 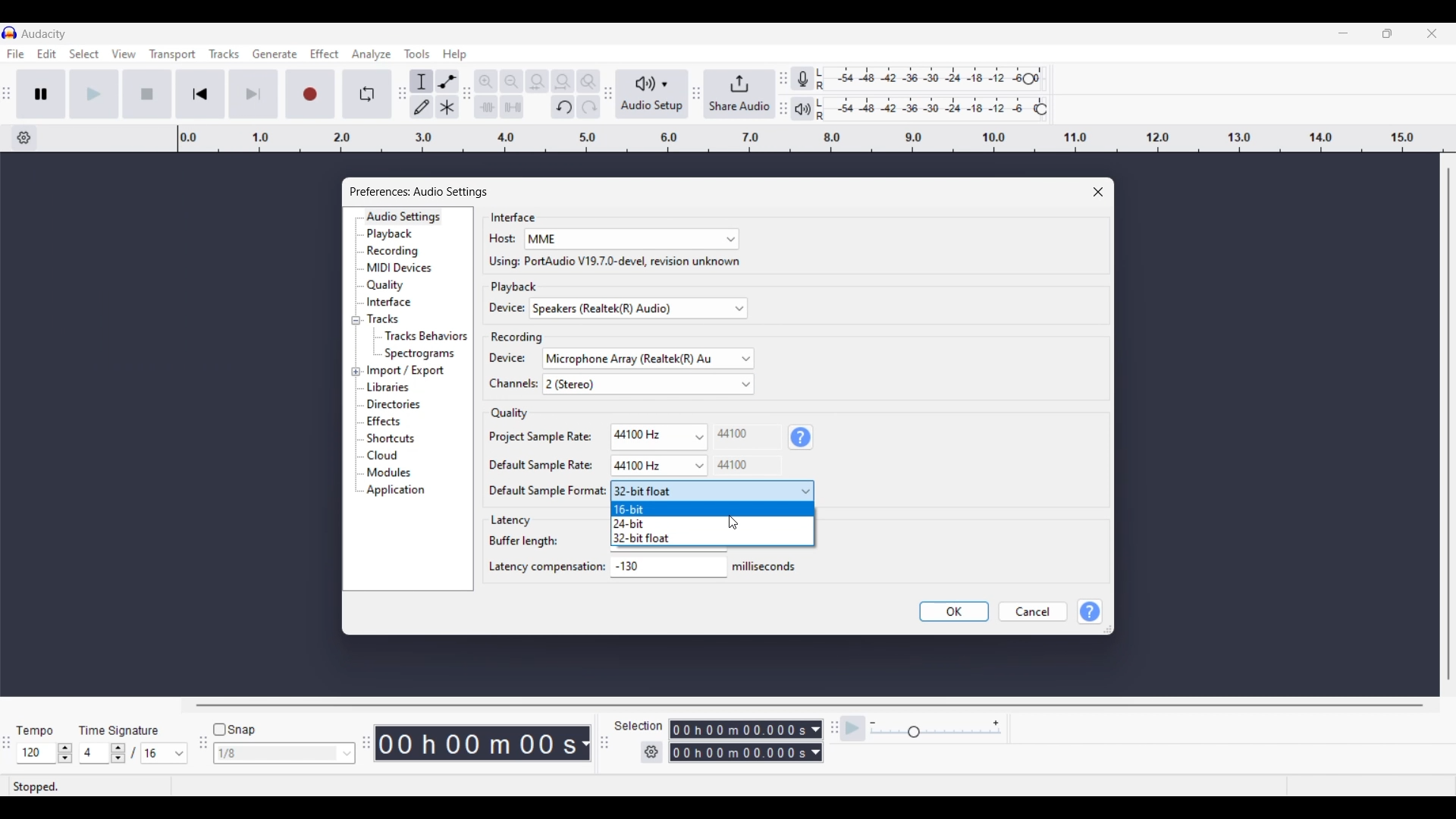 I want to click on Type in latency compensation, so click(x=667, y=566).